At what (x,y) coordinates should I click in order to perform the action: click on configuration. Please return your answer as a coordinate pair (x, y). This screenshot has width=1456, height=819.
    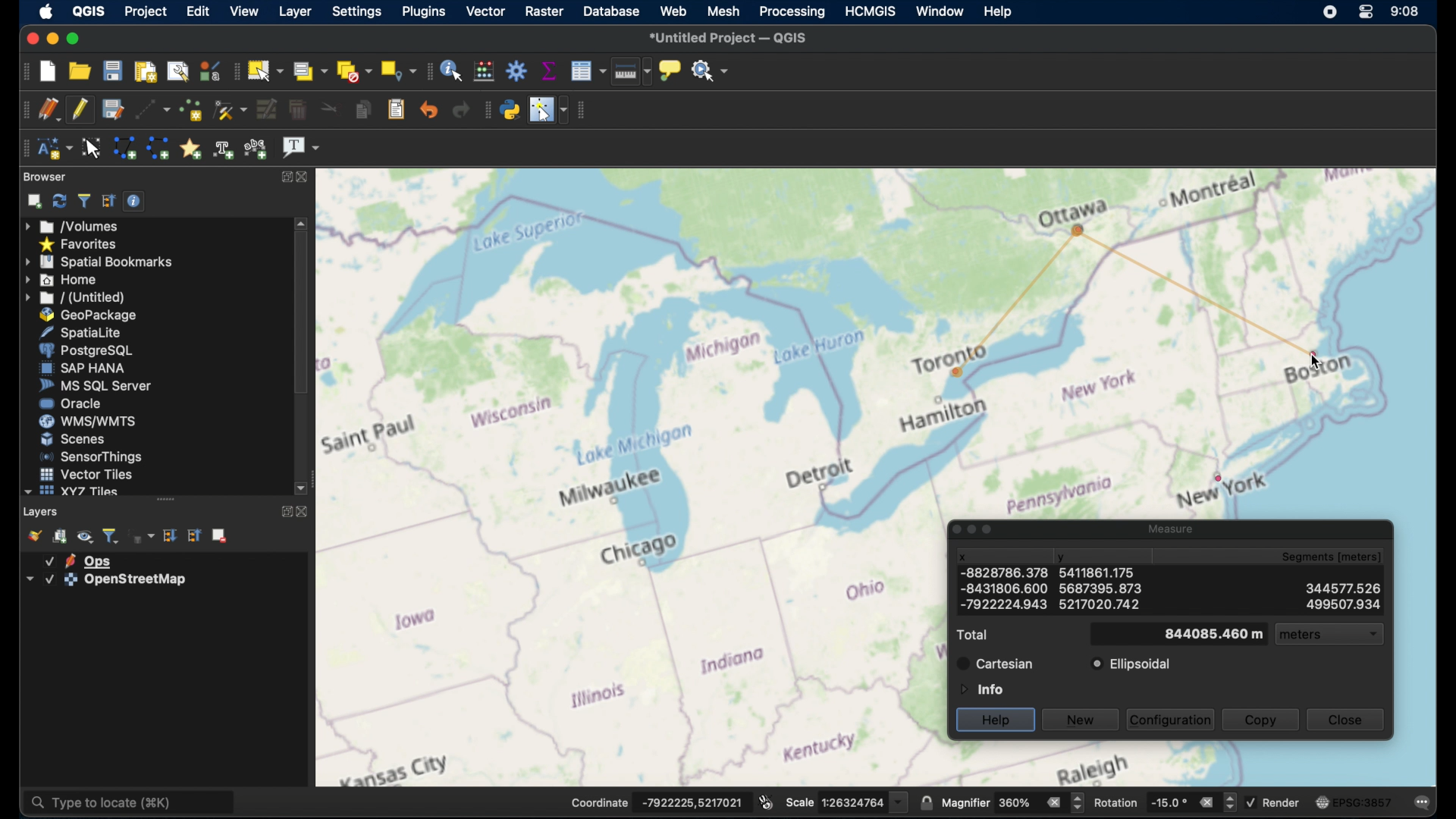
    Looking at the image, I should click on (1172, 719).